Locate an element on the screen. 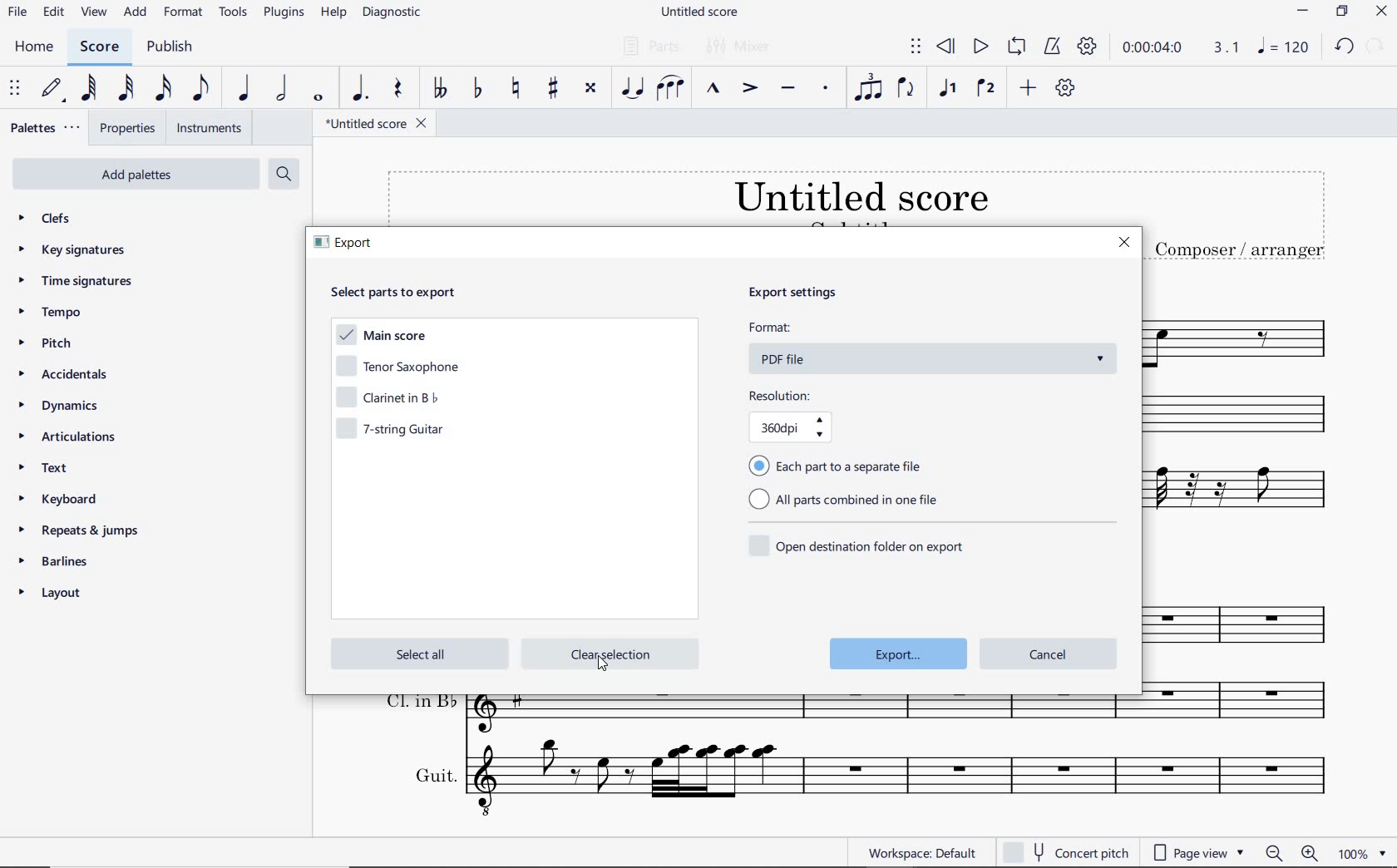 The height and width of the screenshot is (868, 1397). accidentals is located at coordinates (67, 377).